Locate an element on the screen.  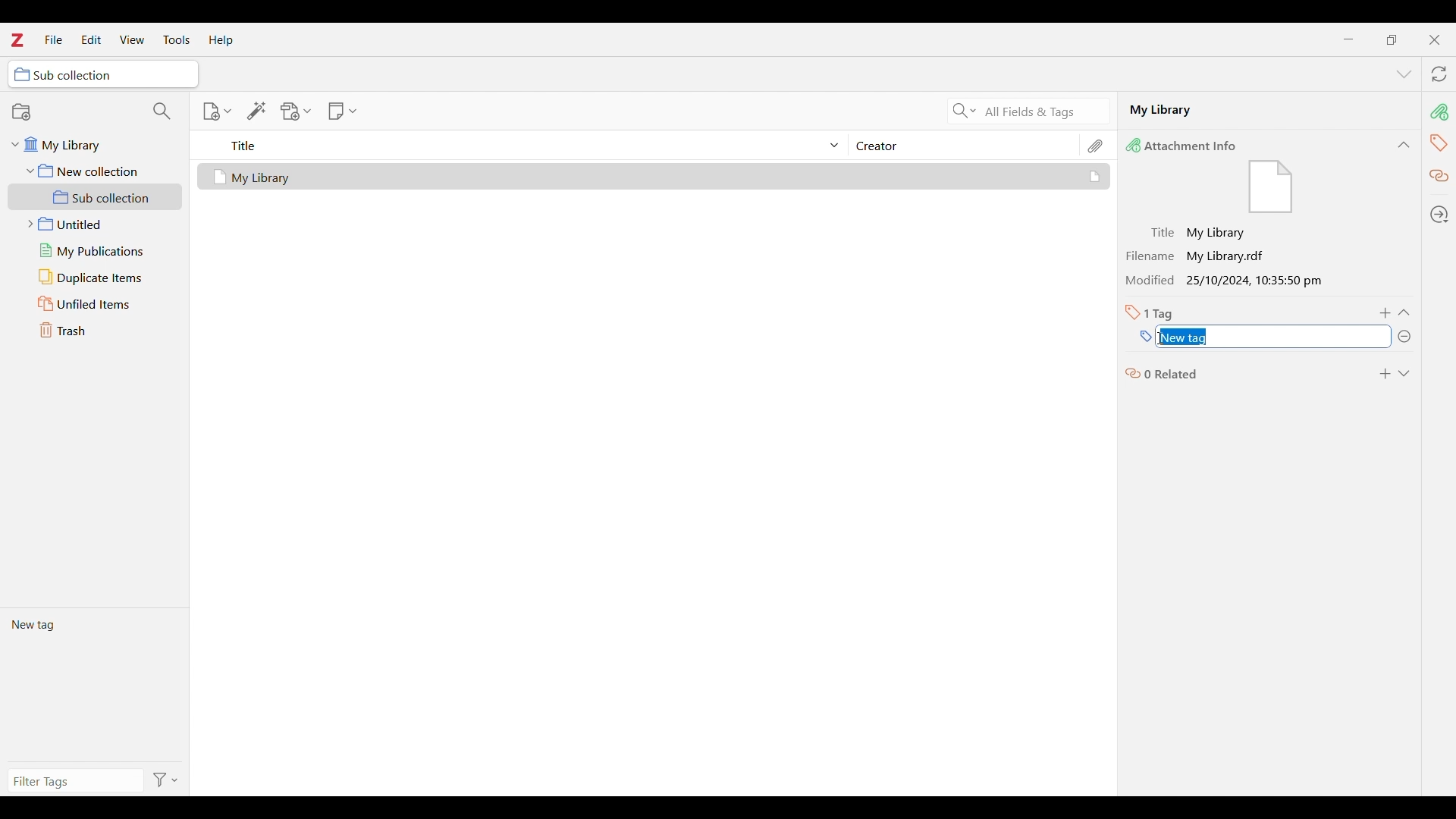
pin is located at coordinates (1439, 111).